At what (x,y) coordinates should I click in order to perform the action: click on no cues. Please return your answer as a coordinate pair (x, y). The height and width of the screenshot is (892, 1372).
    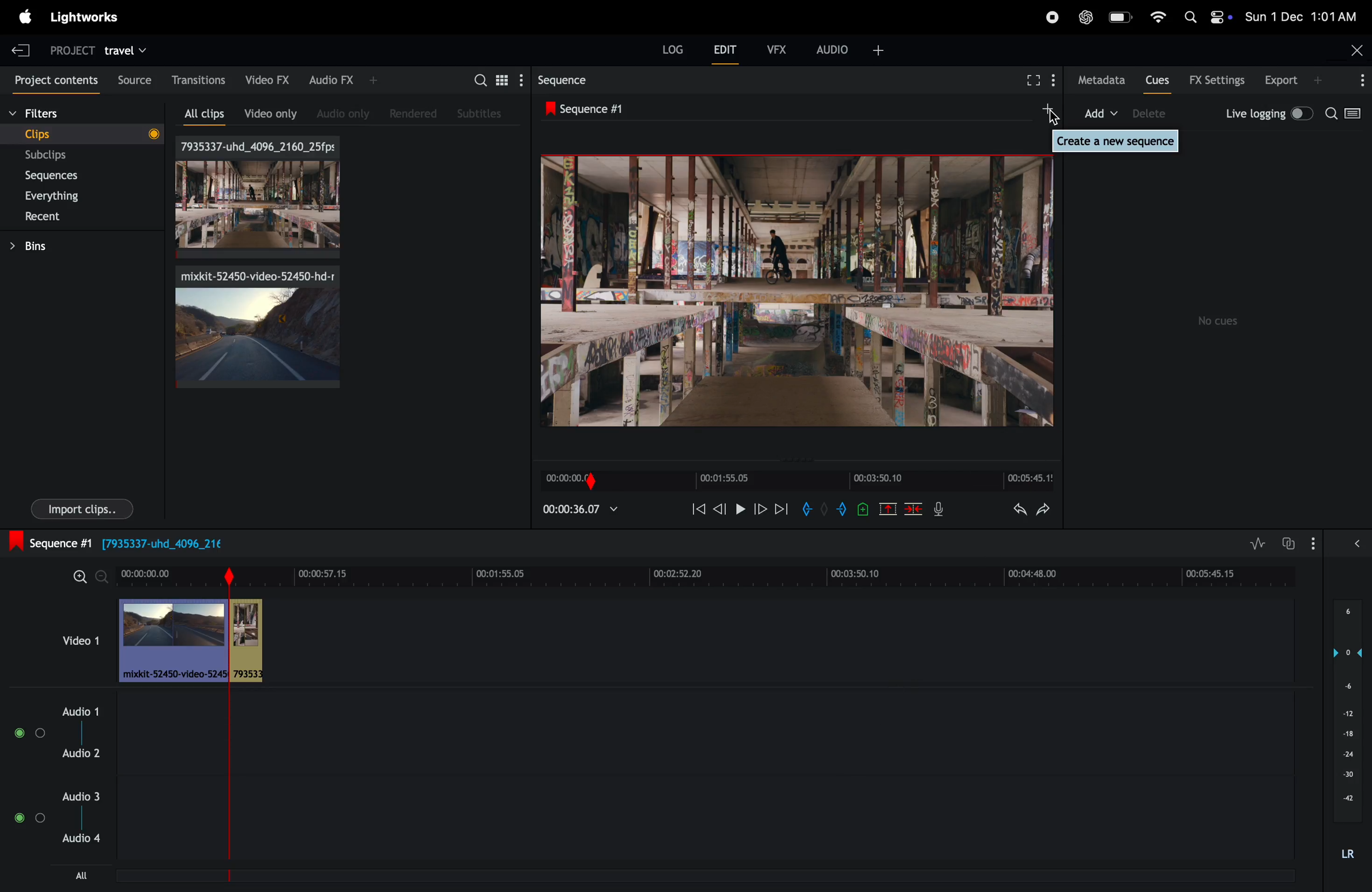
    Looking at the image, I should click on (1220, 321).